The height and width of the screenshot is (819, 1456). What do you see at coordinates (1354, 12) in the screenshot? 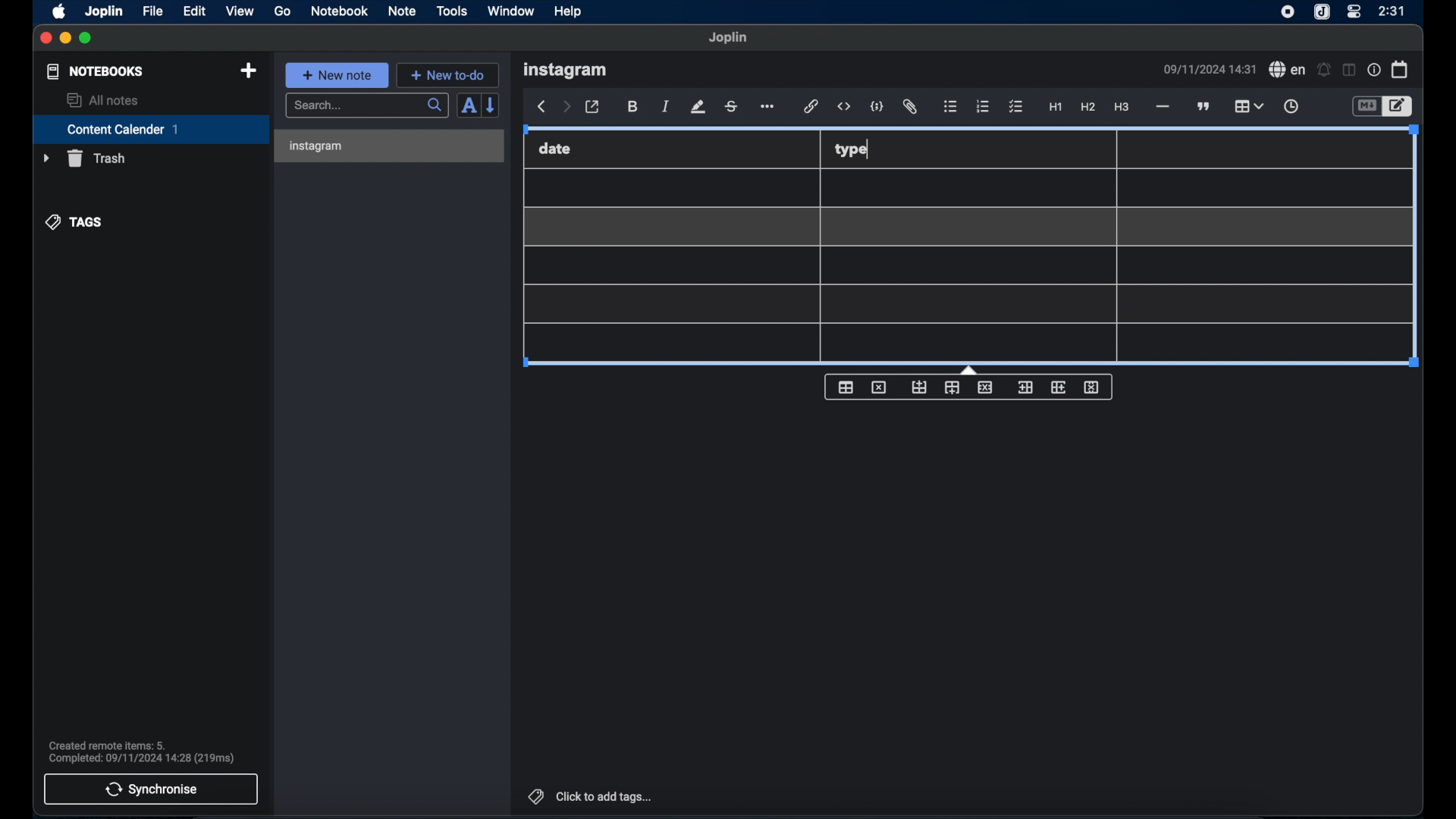
I see `control center` at bounding box center [1354, 12].